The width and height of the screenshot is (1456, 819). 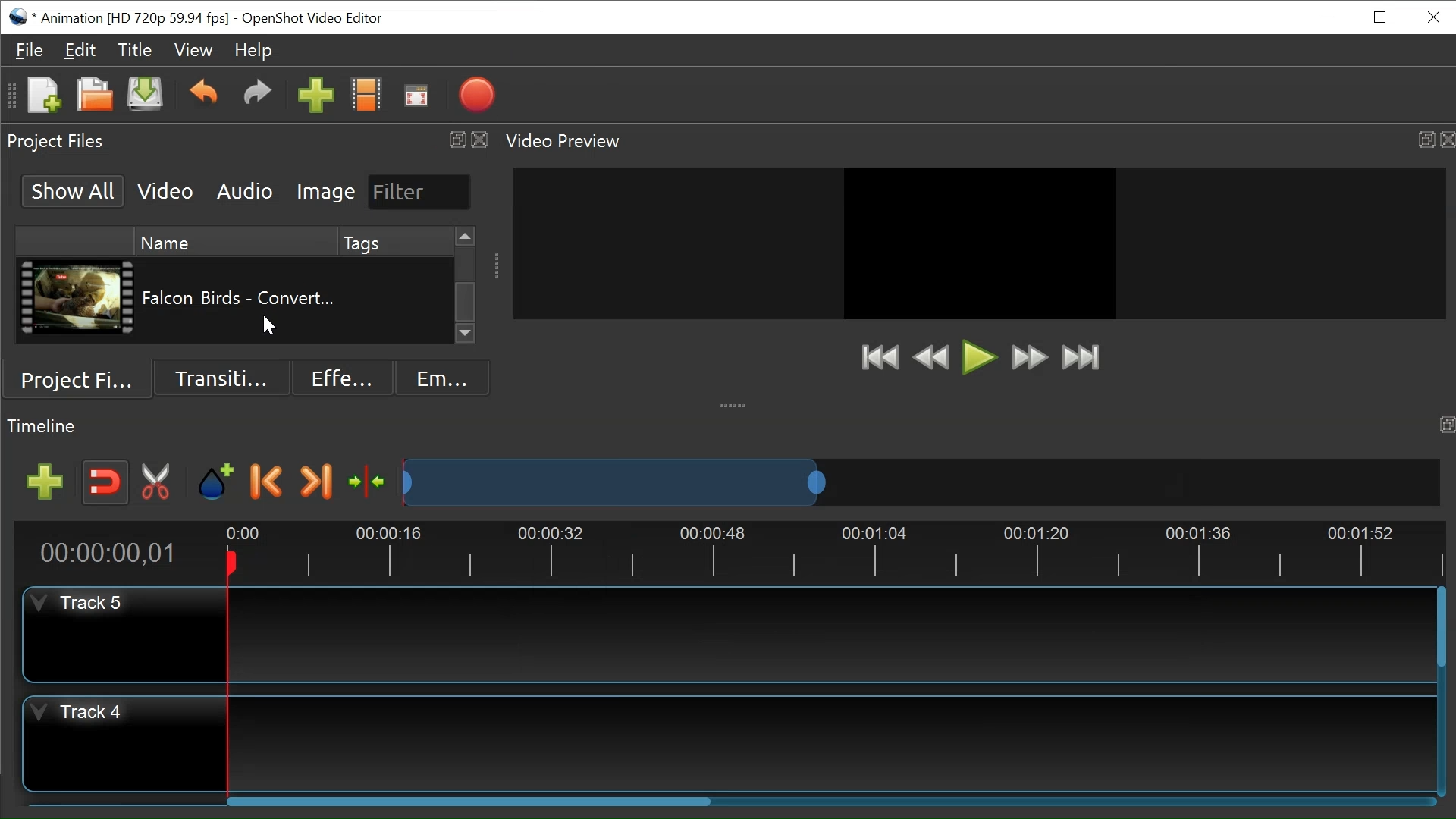 What do you see at coordinates (240, 304) in the screenshot?
I see `Clip Name` at bounding box center [240, 304].